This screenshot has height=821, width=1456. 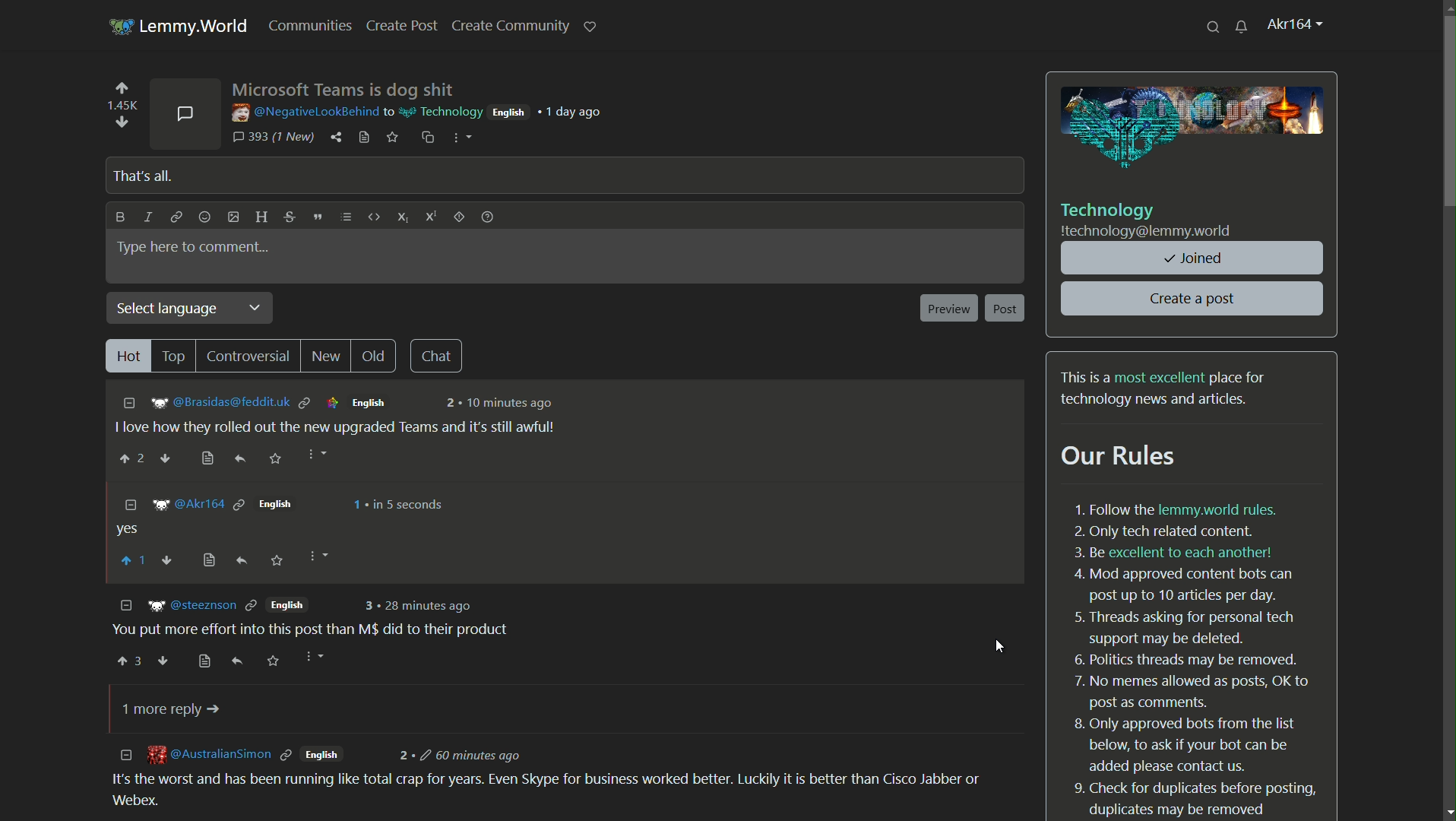 What do you see at coordinates (119, 24) in the screenshot?
I see `server icon` at bounding box center [119, 24].